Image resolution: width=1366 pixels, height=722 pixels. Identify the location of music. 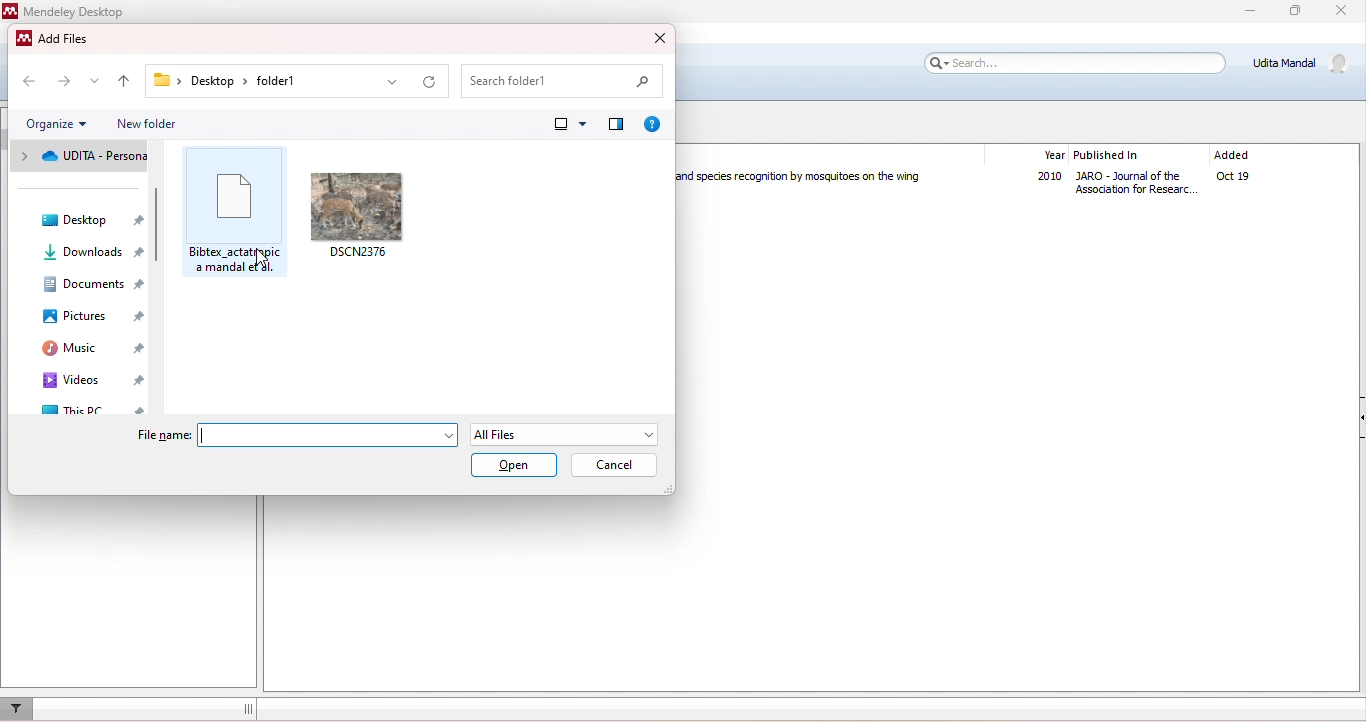
(94, 348).